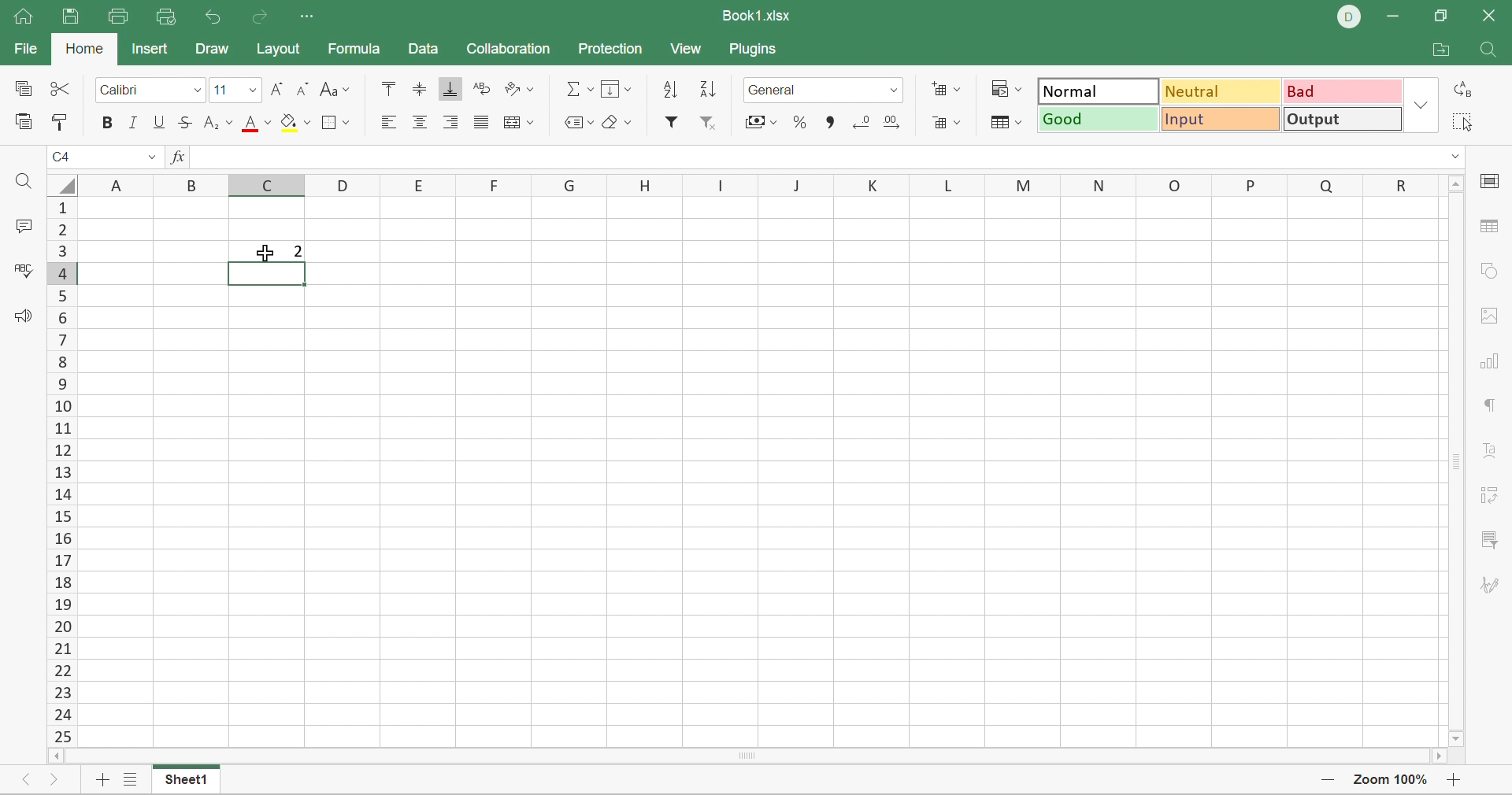 The width and height of the screenshot is (1512, 795). I want to click on Calibri, so click(124, 91).